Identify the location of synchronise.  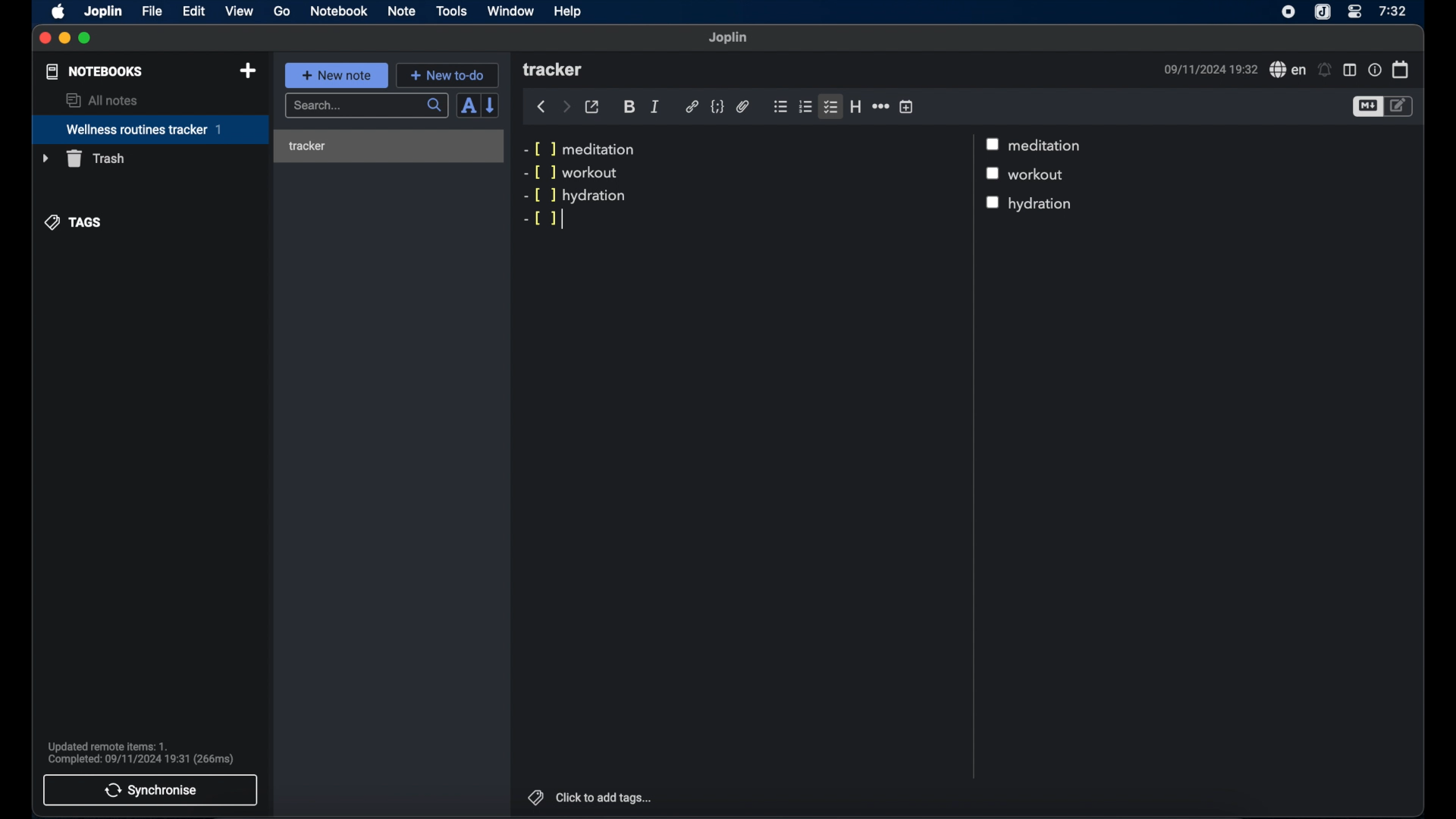
(151, 790).